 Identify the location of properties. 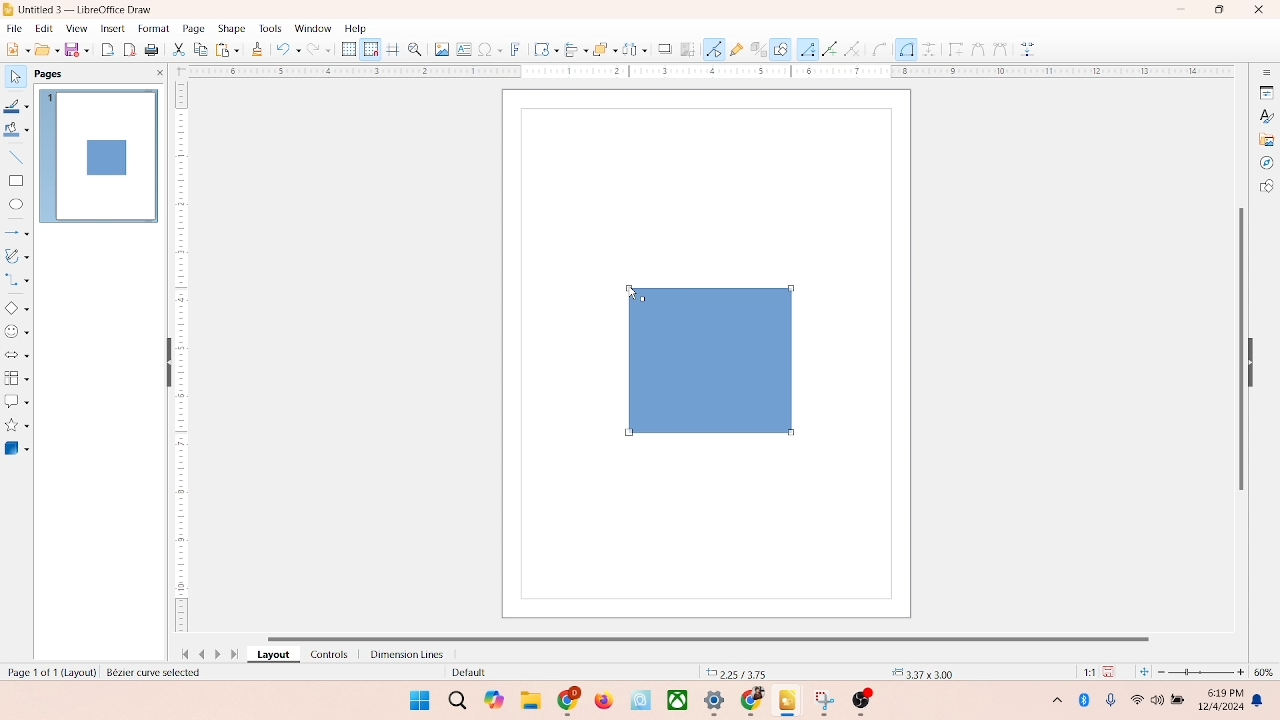
(1265, 91).